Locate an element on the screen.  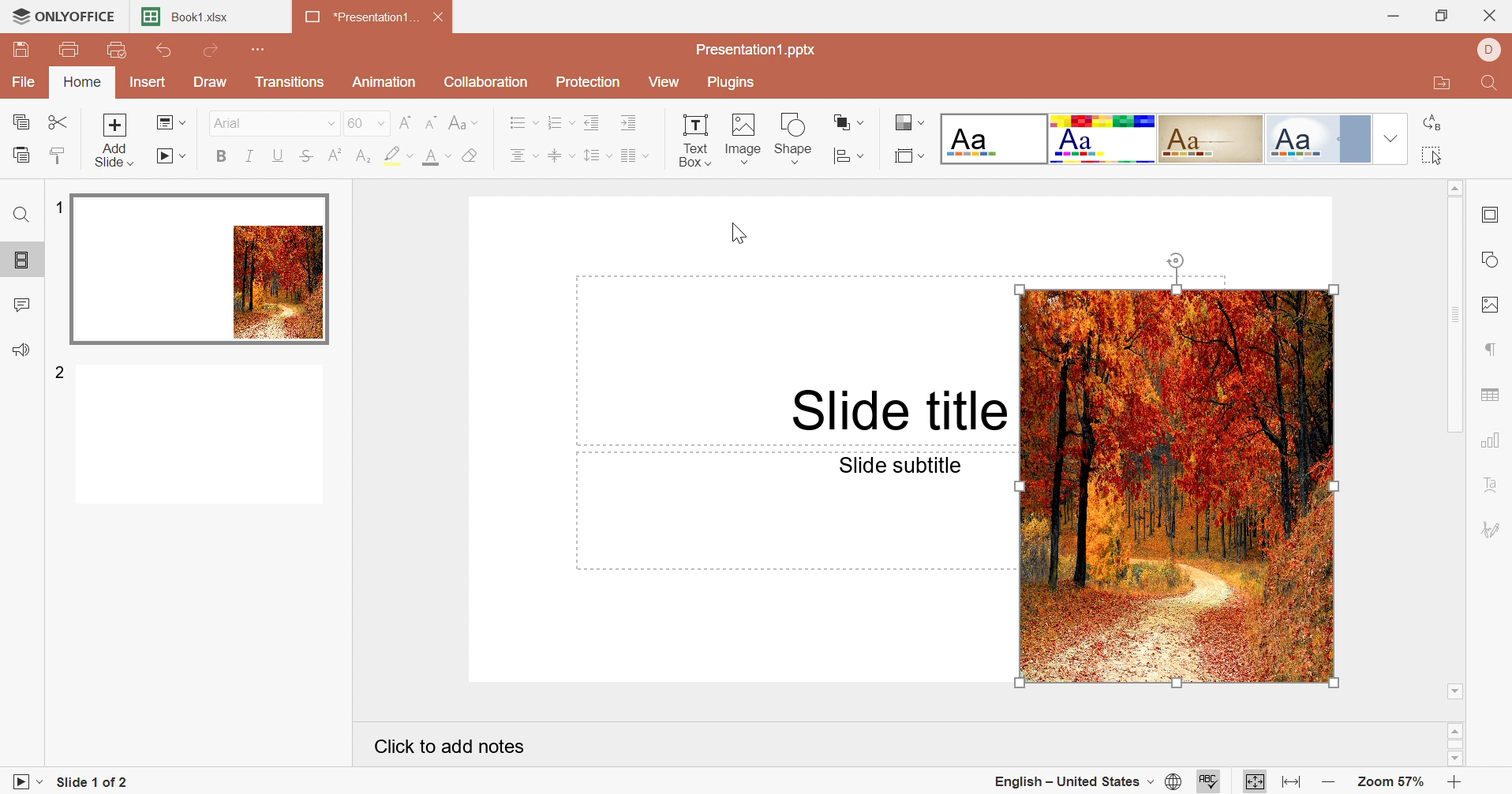
Basic is located at coordinates (1103, 140).